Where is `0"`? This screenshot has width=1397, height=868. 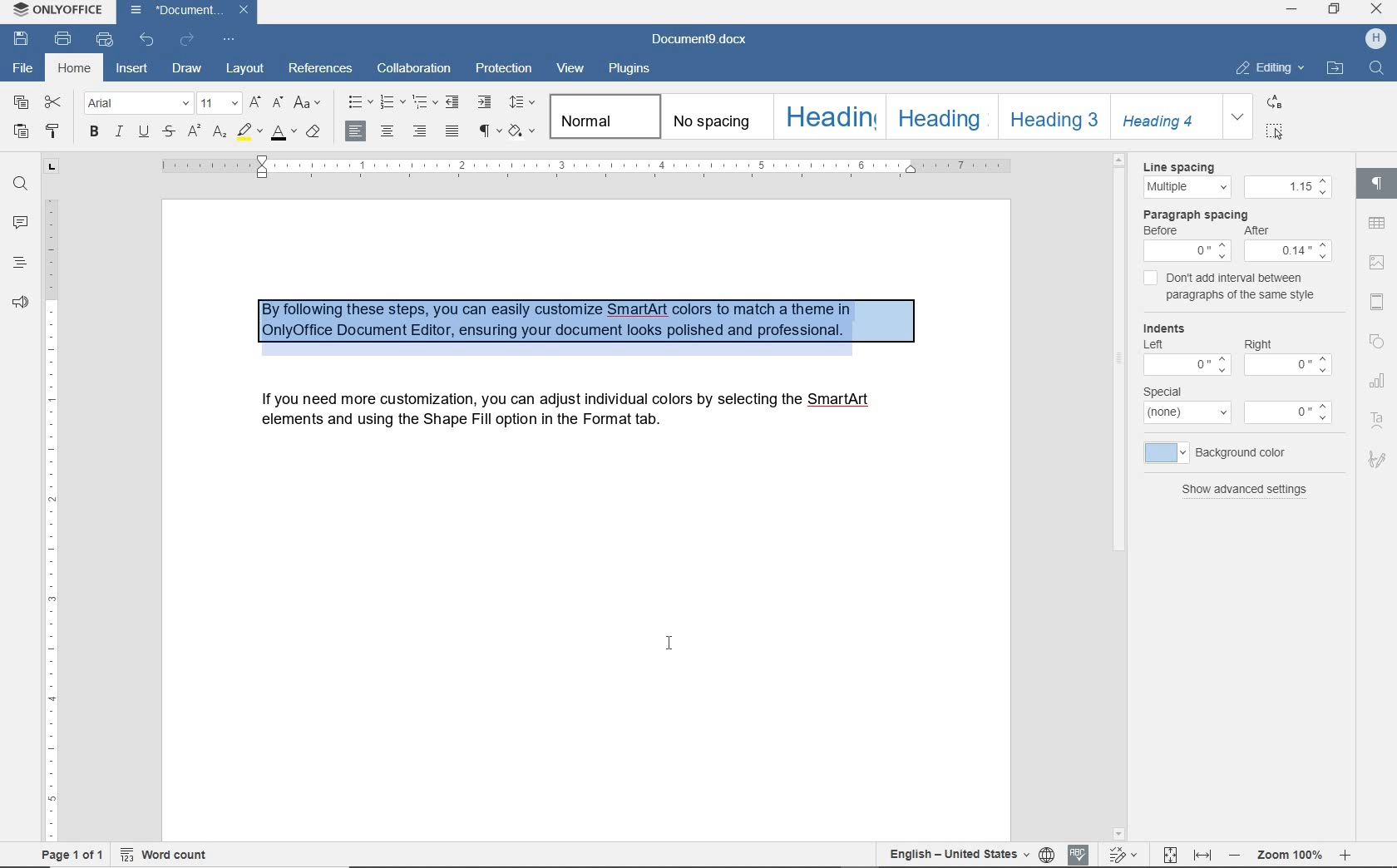 0" is located at coordinates (1188, 251).